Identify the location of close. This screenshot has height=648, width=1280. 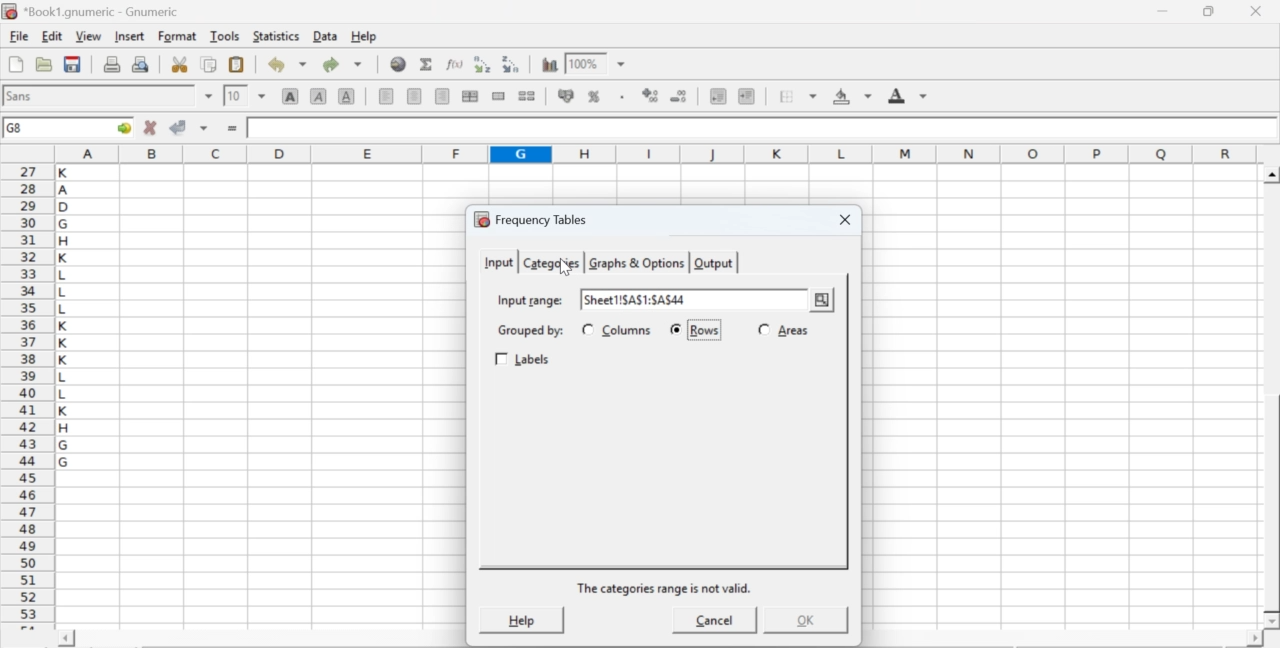
(842, 221).